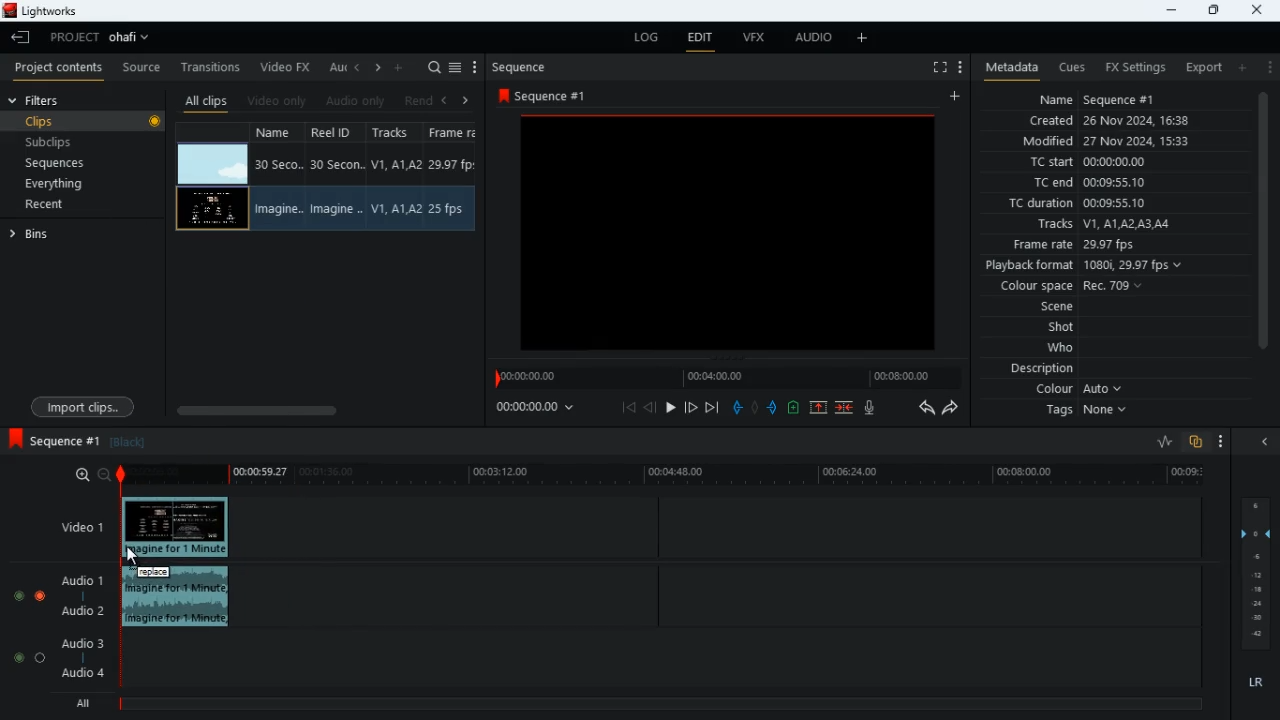  What do you see at coordinates (62, 206) in the screenshot?
I see `recent` at bounding box center [62, 206].